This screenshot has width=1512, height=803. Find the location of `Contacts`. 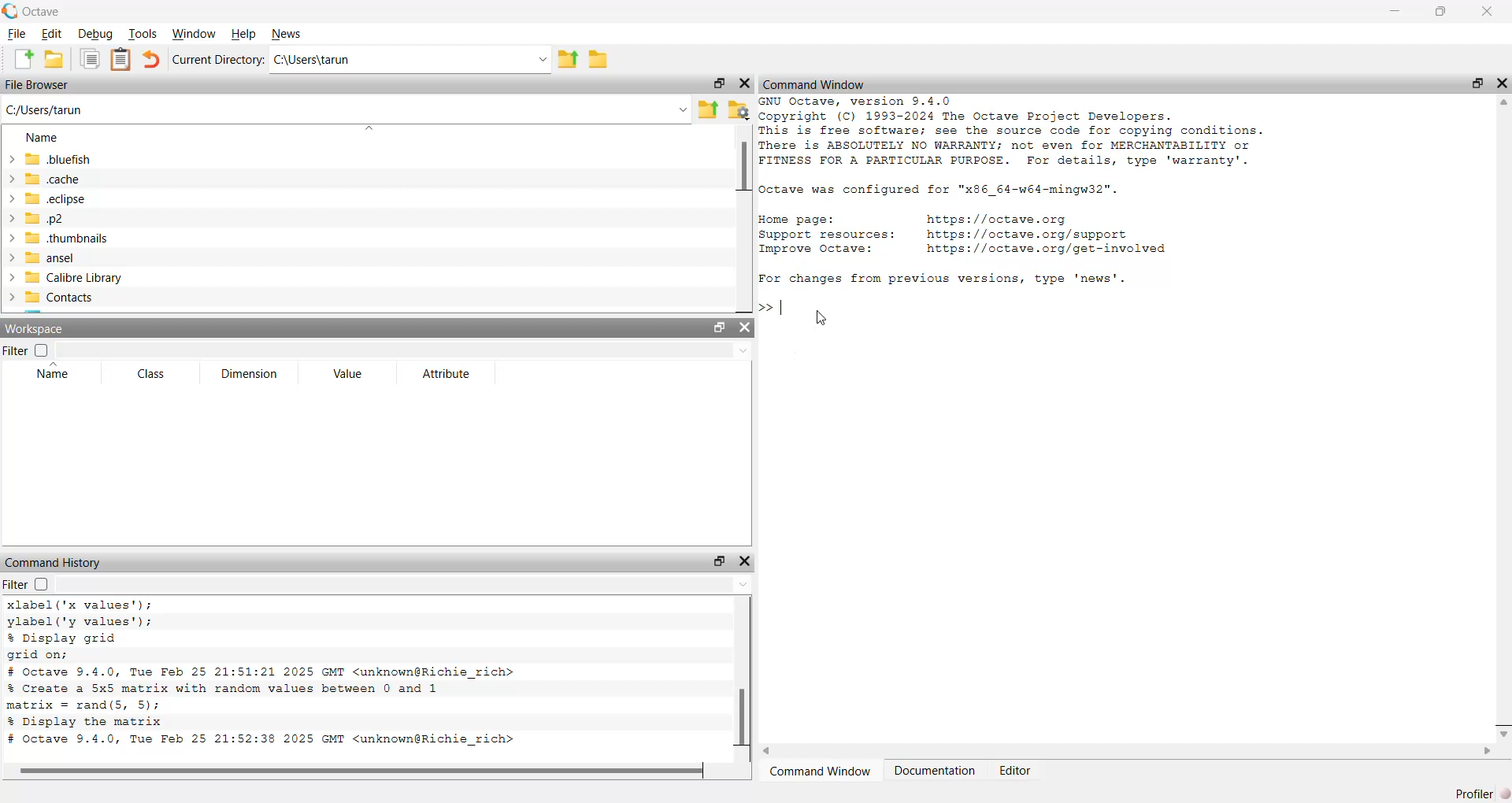

Contacts is located at coordinates (74, 298).